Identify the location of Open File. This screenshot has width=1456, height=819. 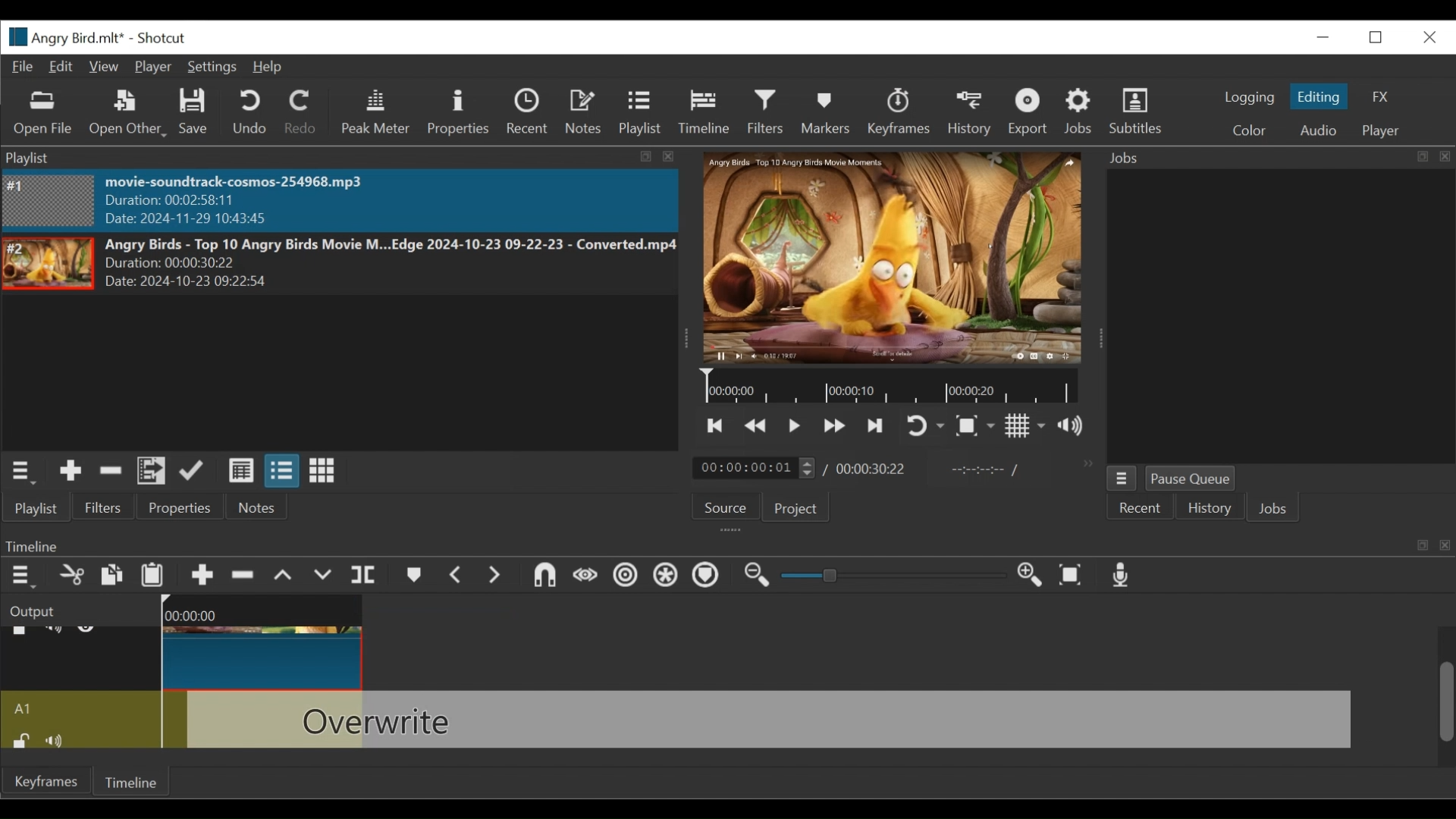
(40, 114).